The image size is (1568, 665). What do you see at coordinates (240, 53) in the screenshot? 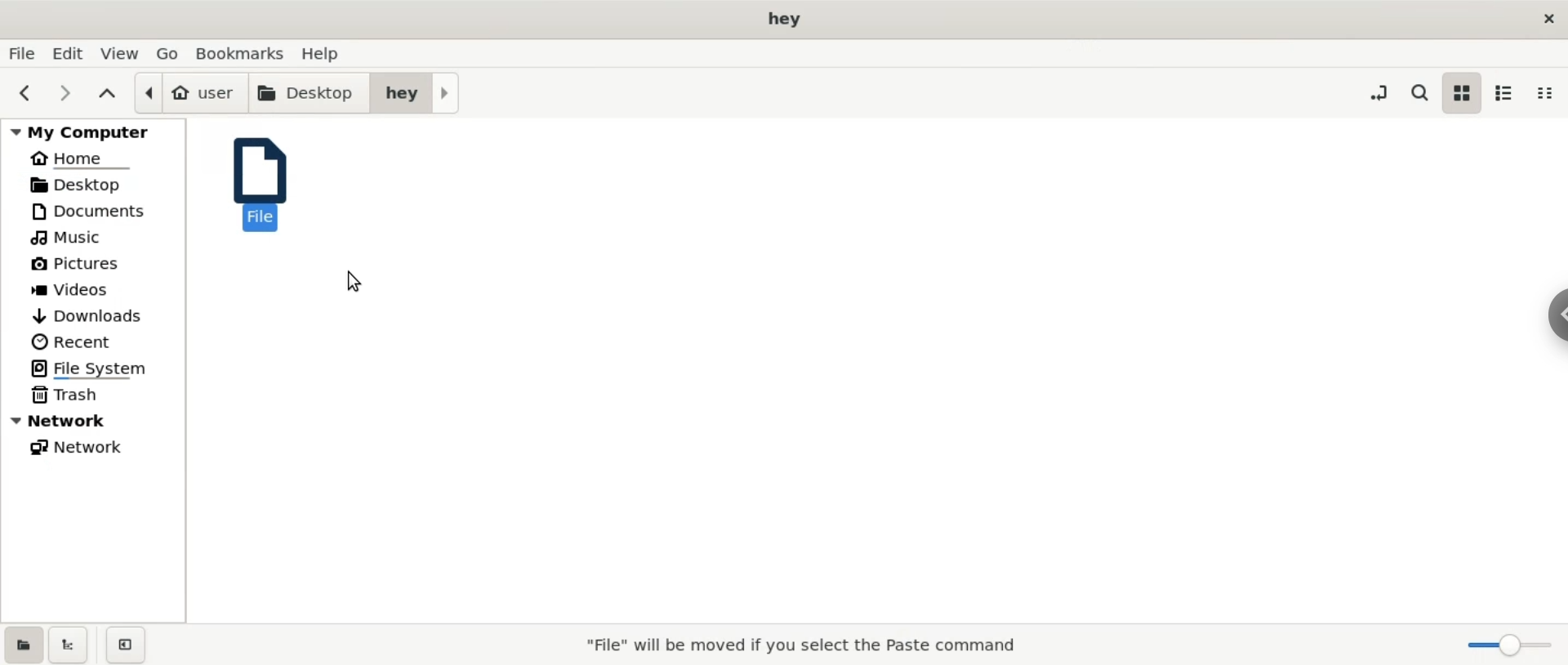
I see `bookmarks` at bounding box center [240, 53].